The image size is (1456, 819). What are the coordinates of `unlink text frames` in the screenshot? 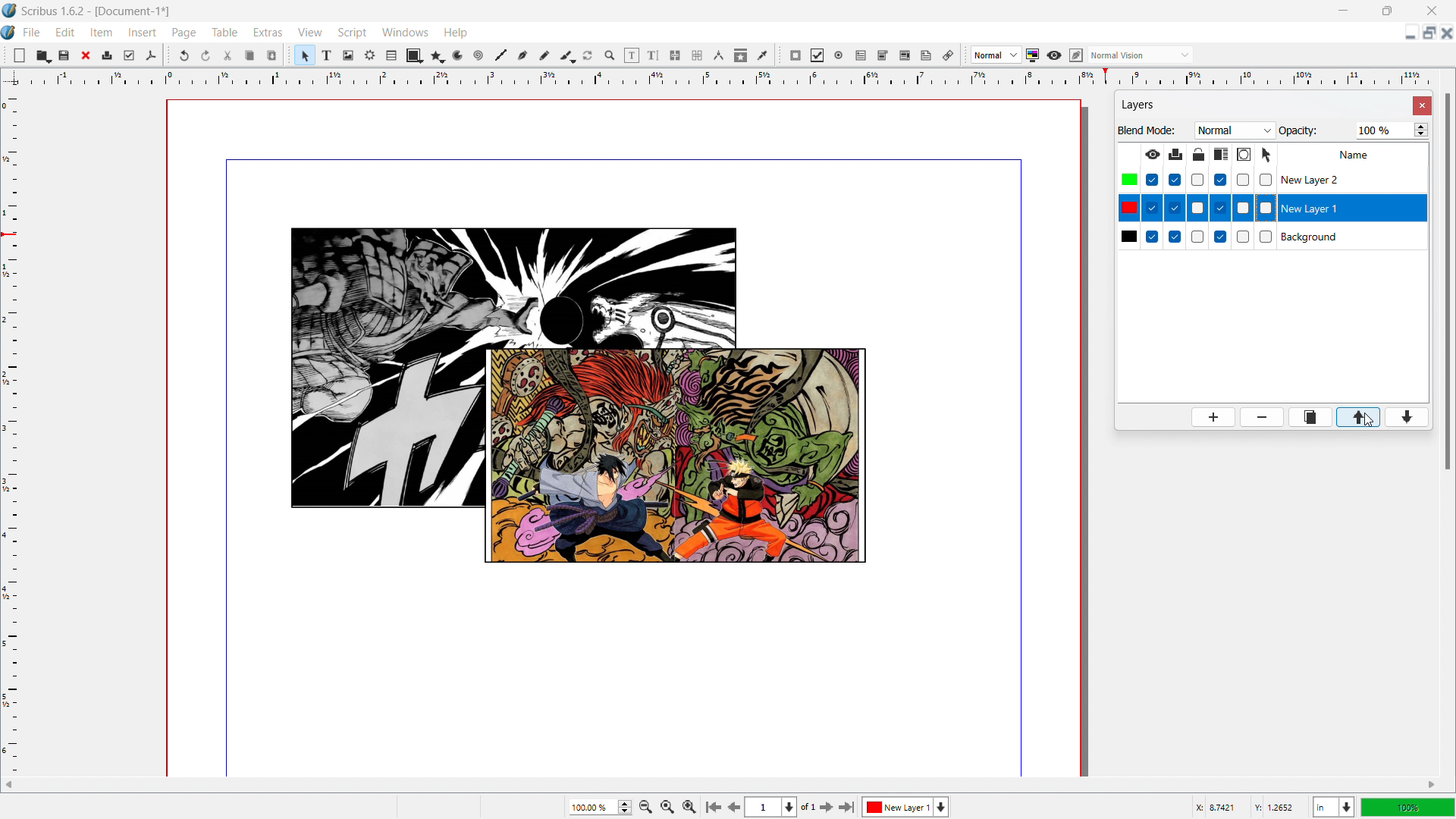 It's located at (697, 55).